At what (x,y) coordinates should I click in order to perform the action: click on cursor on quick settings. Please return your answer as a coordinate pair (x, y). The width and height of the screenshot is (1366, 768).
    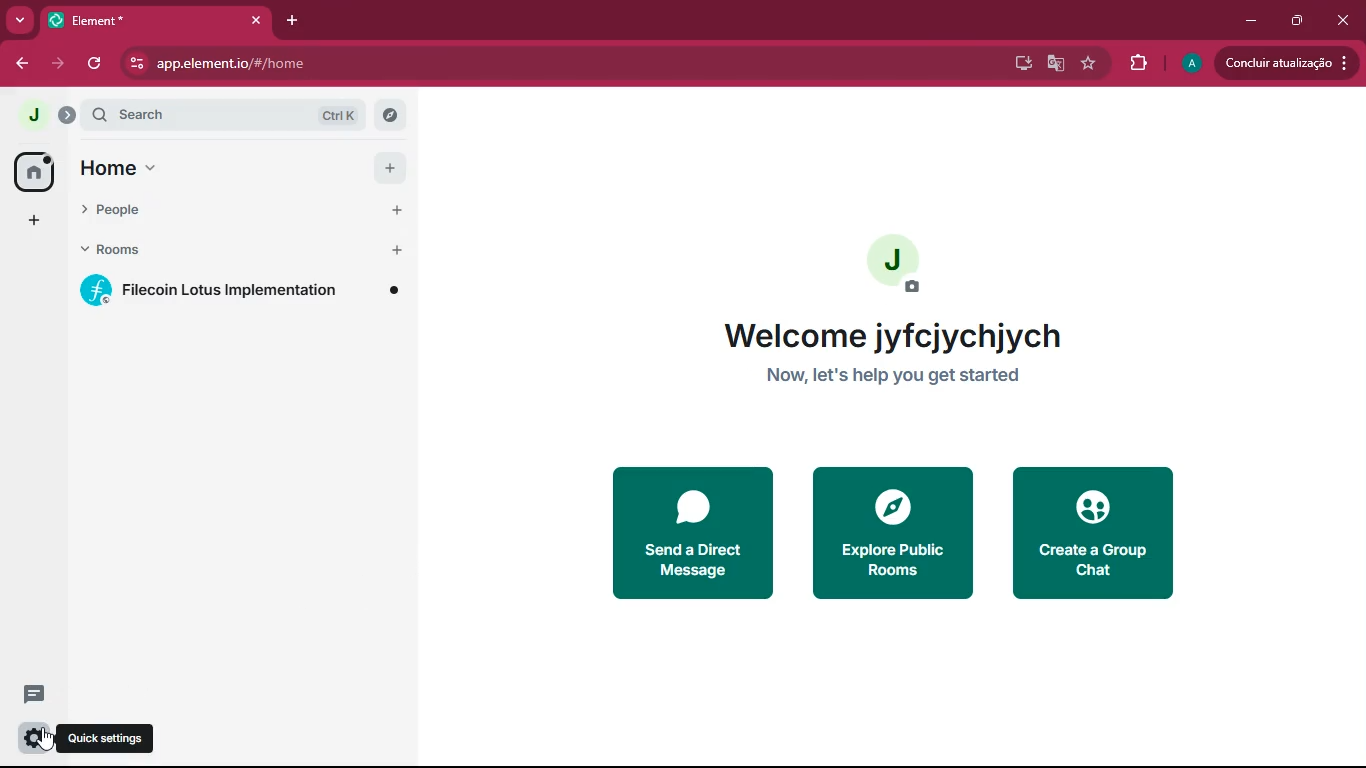
    Looking at the image, I should click on (49, 738).